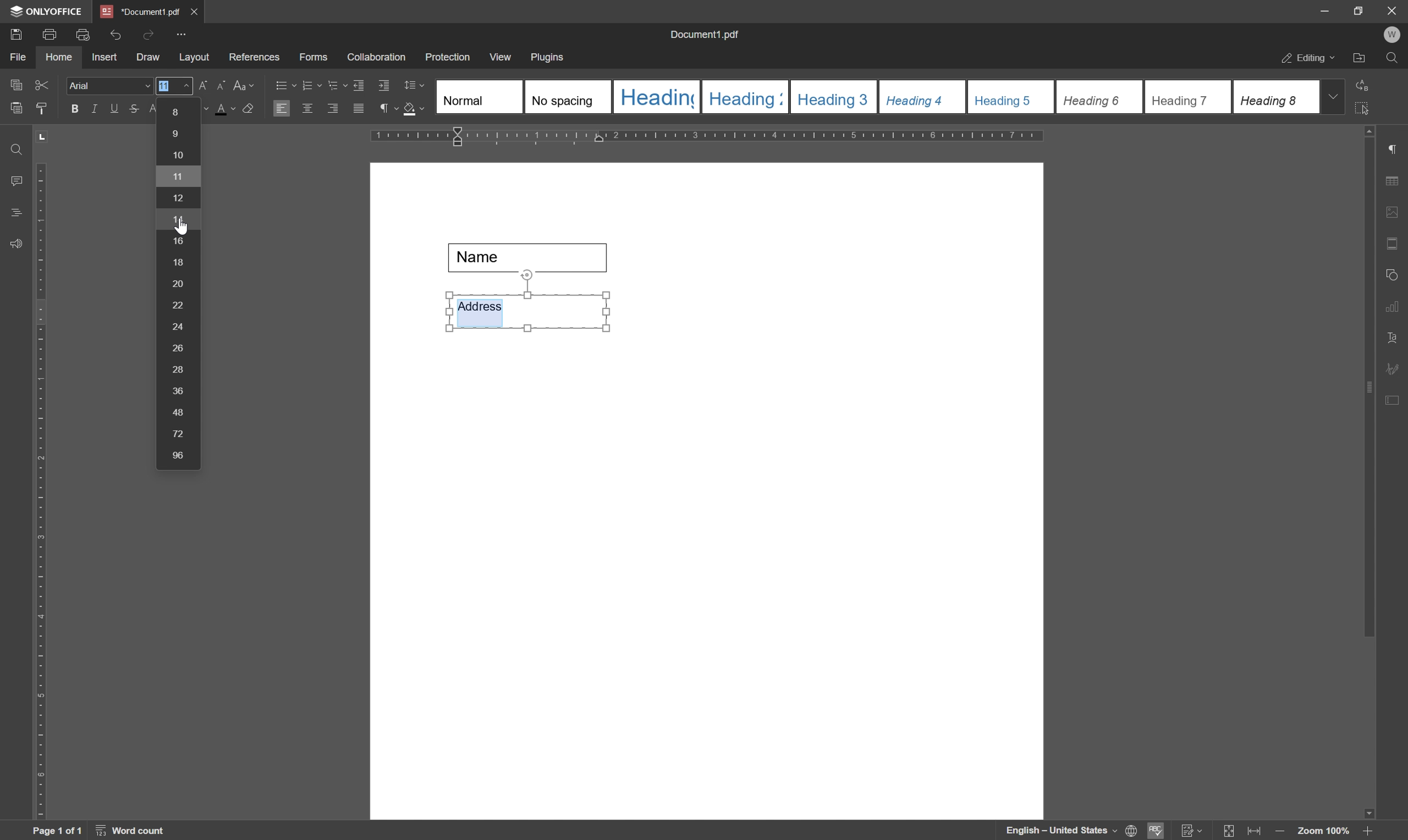 This screenshot has height=840, width=1408. Describe the element at coordinates (1397, 215) in the screenshot. I see `image settings` at that location.